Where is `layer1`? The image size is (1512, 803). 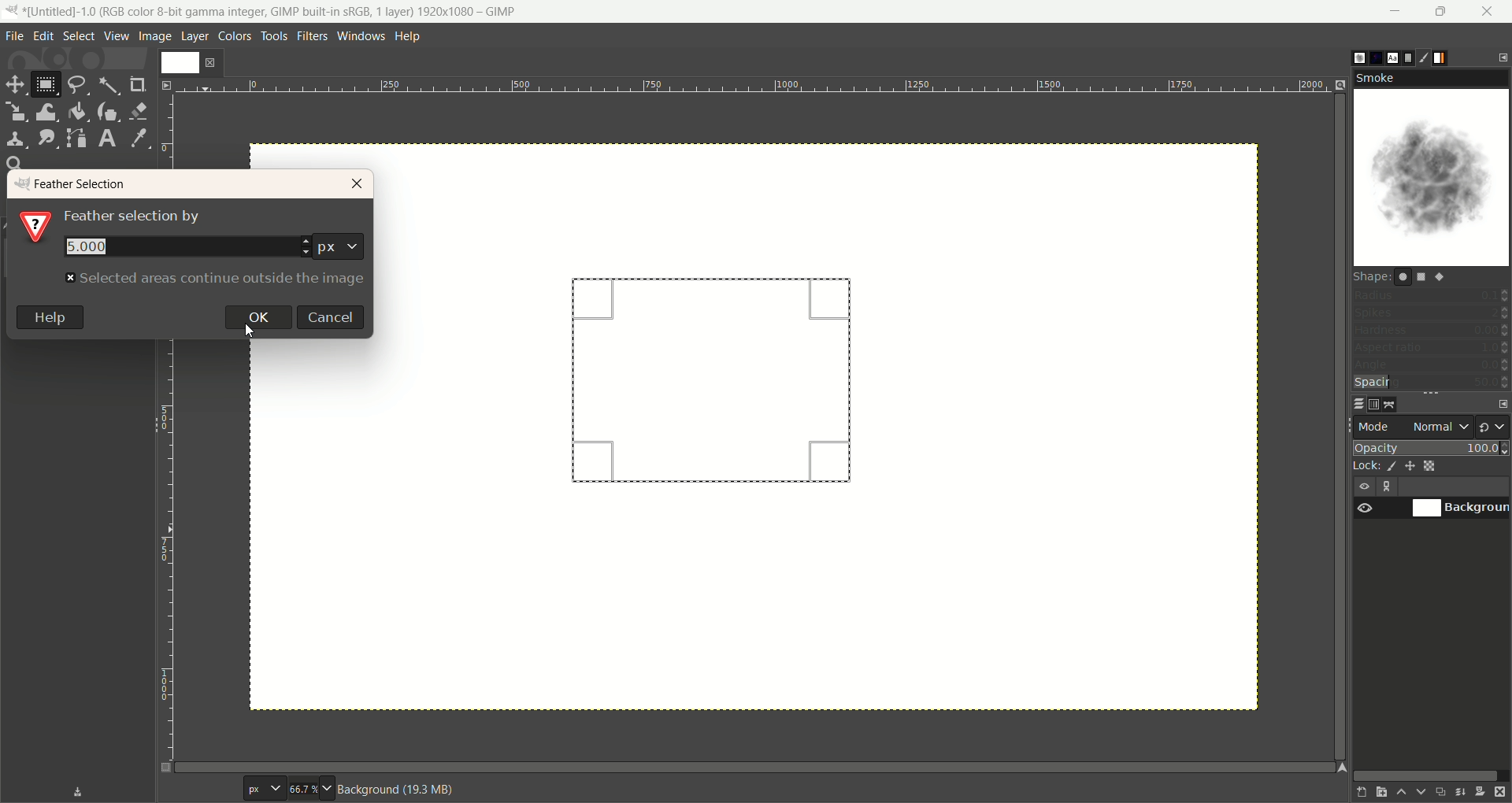
layer1 is located at coordinates (192, 64).